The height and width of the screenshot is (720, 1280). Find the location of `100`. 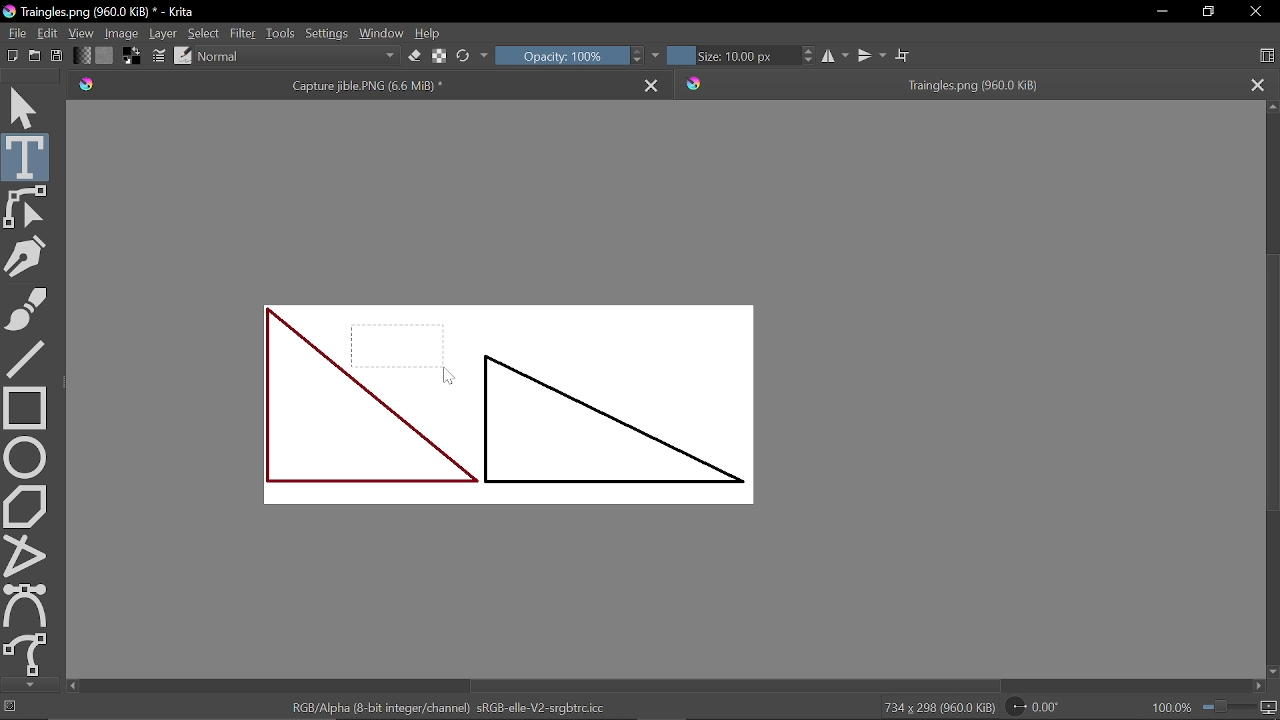

100 is located at coordinates (1170, 710).